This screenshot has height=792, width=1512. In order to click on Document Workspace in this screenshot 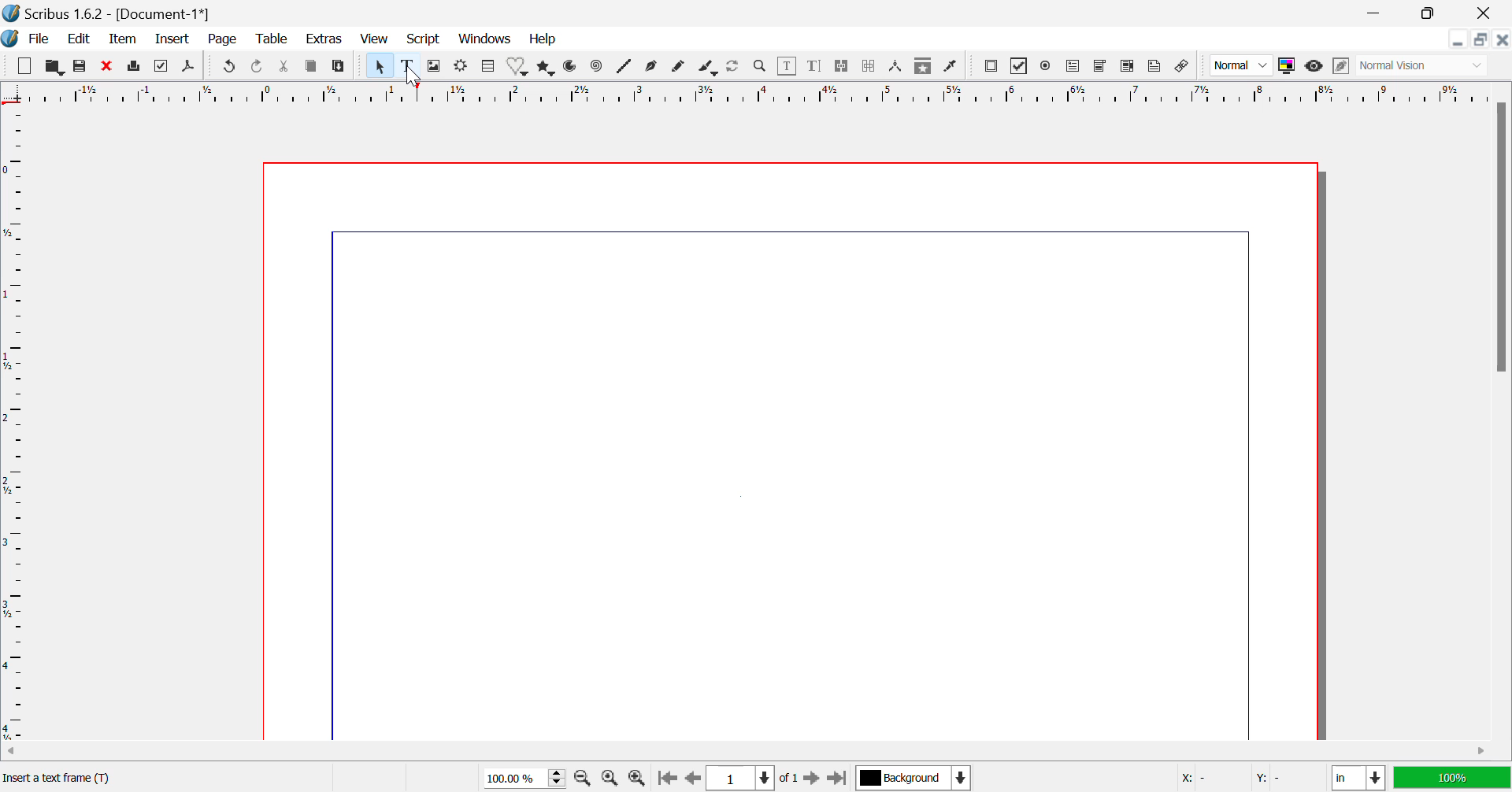, I will do `click(795, 453)`.